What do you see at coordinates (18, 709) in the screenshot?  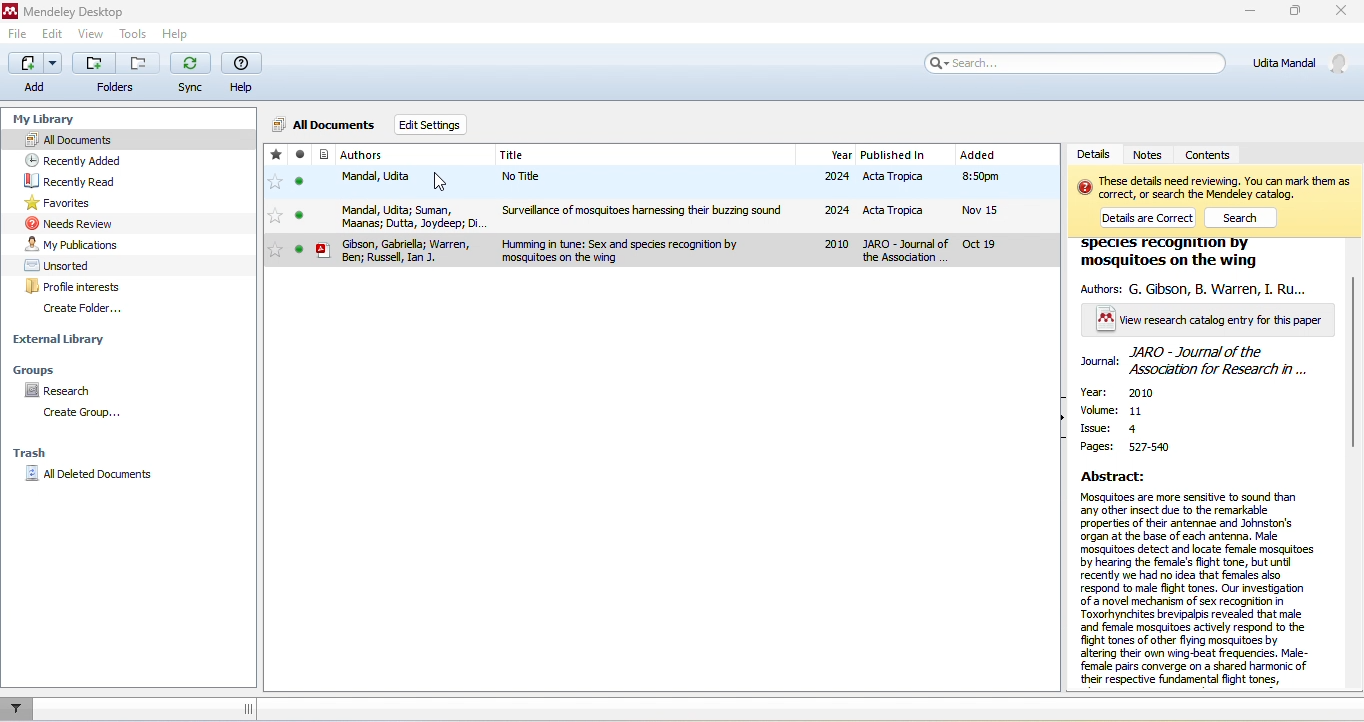 I see `filter` at bounding box center [18, 709].